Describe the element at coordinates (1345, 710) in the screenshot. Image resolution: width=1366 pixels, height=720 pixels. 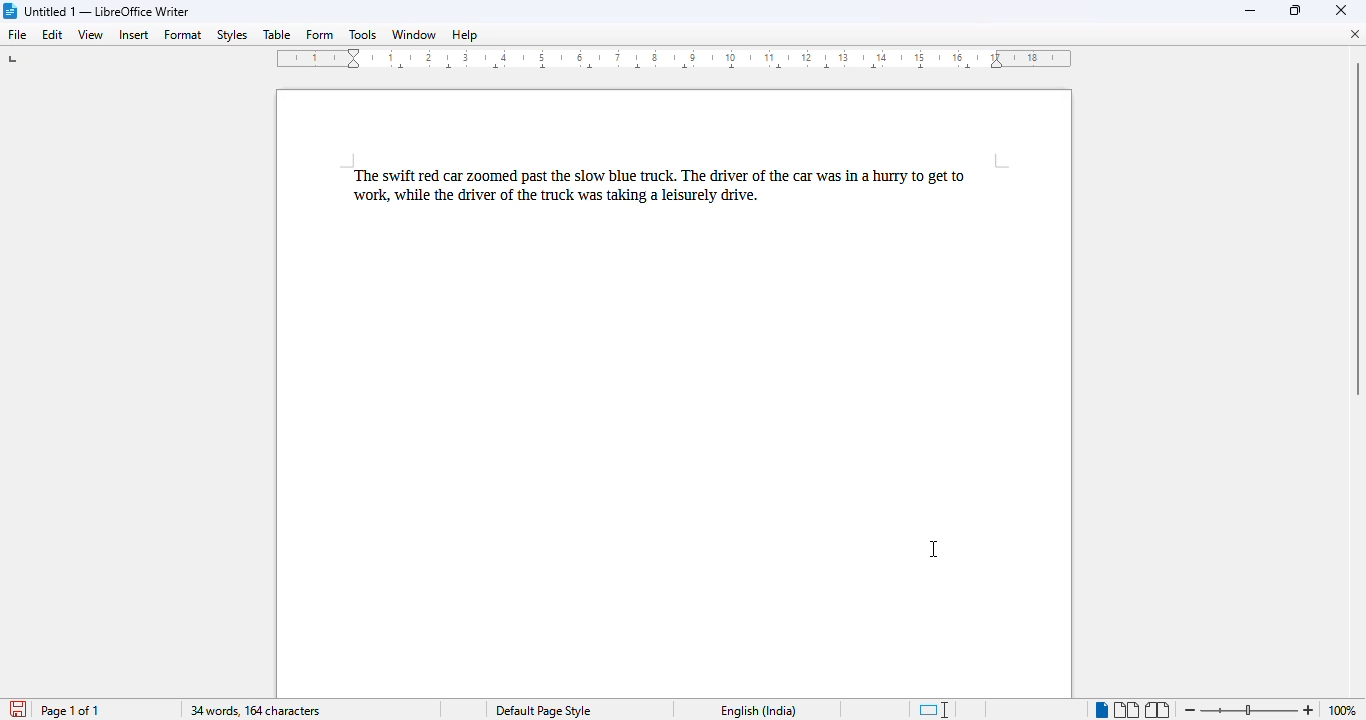
I see `100% (current zoom level)` at that location.